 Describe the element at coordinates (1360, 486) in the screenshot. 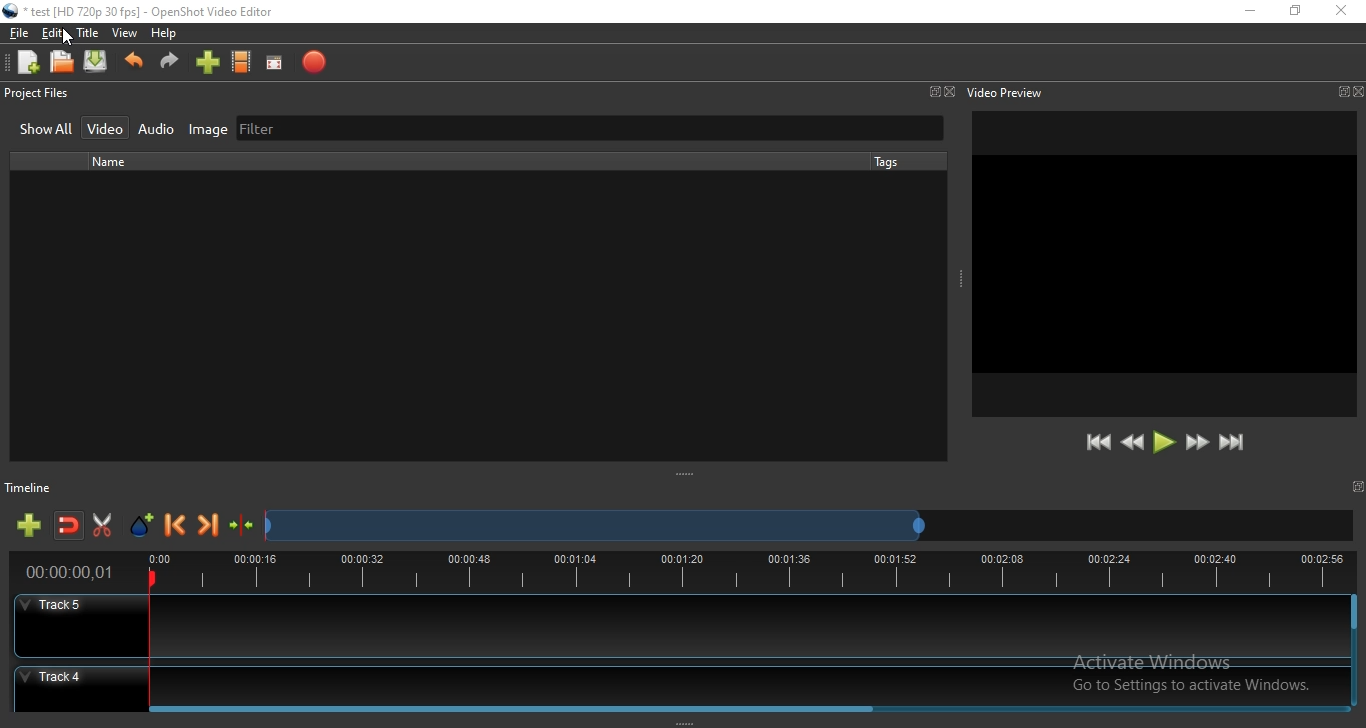

I see `window` at that location.